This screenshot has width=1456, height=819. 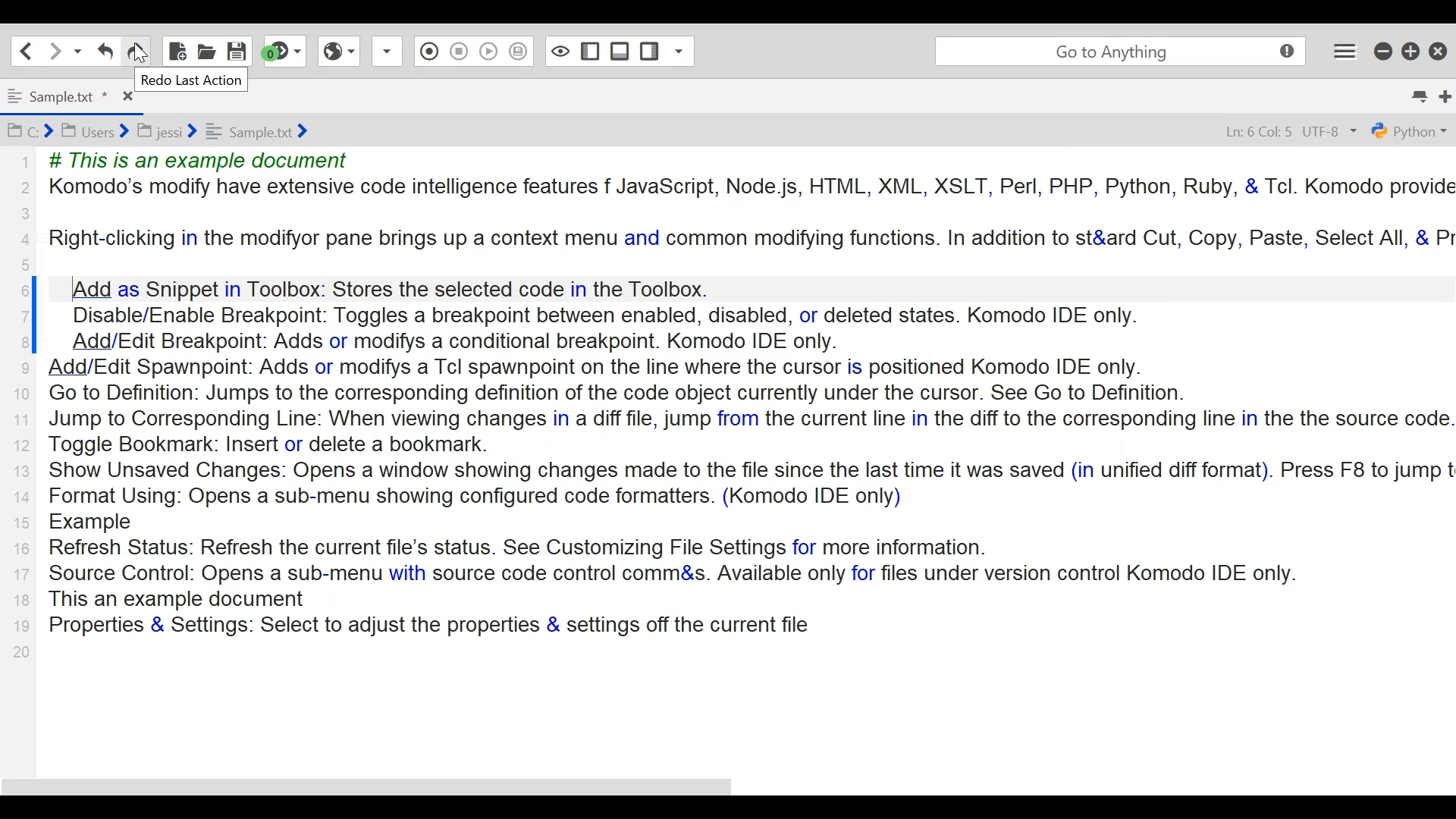 What do you see at coordinates (1332, 132) in the screenshot?
I see `File Encoding` at bounding box center [1332, 132].